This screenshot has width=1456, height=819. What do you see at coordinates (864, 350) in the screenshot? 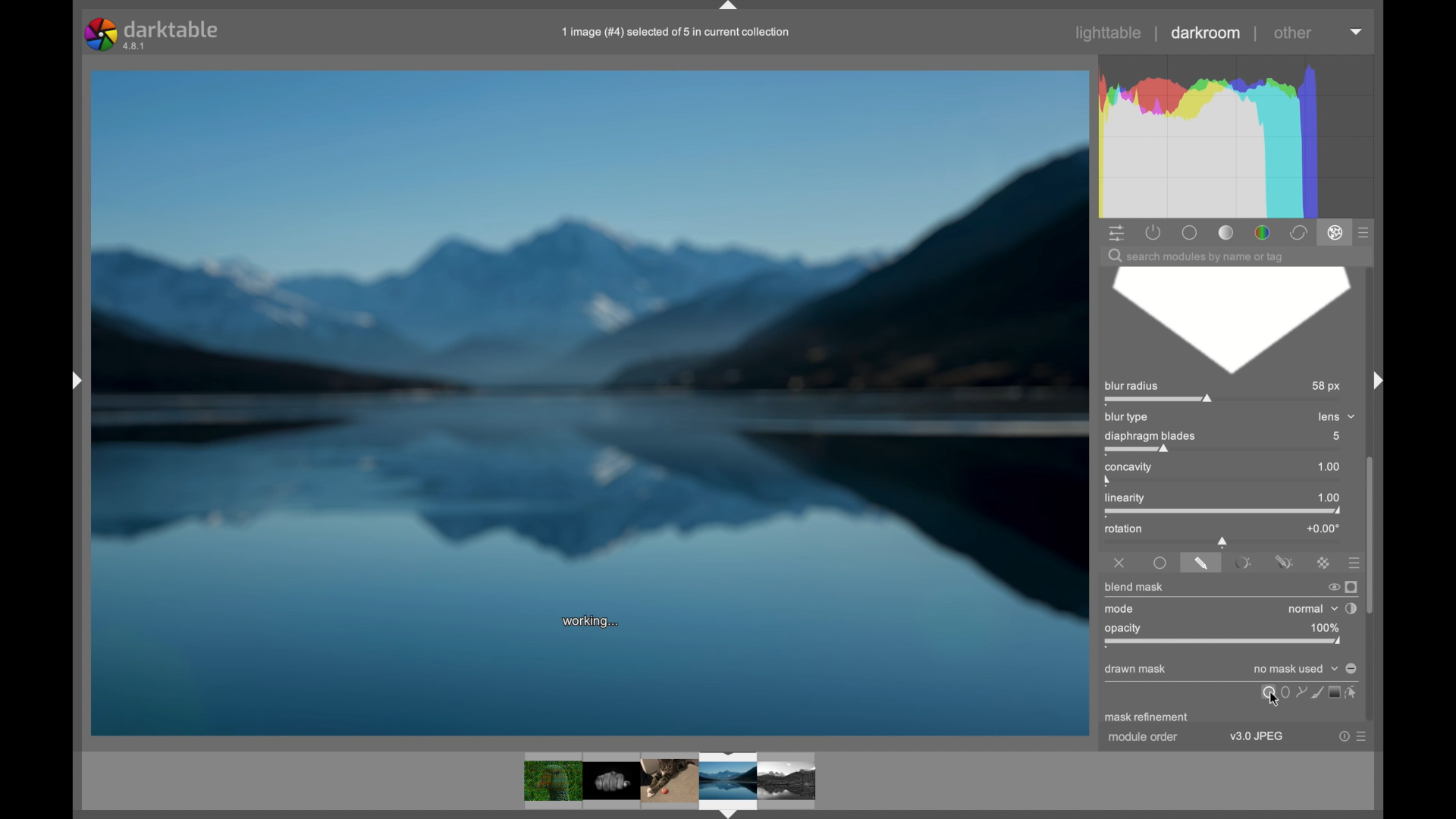
I see `photo blurred` at bounding box center [864, 350].